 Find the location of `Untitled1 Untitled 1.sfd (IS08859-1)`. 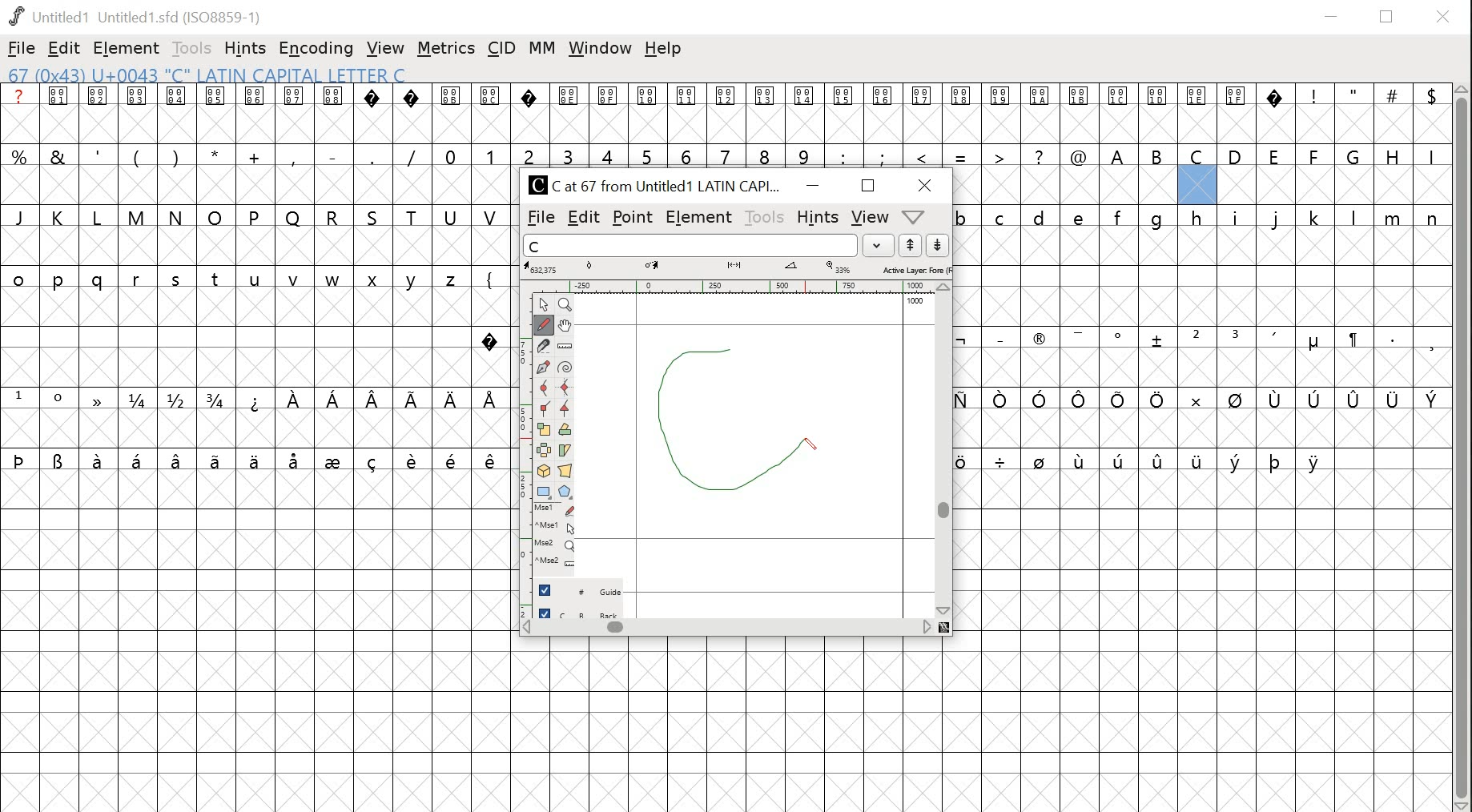

Untitled1 Untitled 1.sfd (IS08859-1) is located at coordinates (138, 16).